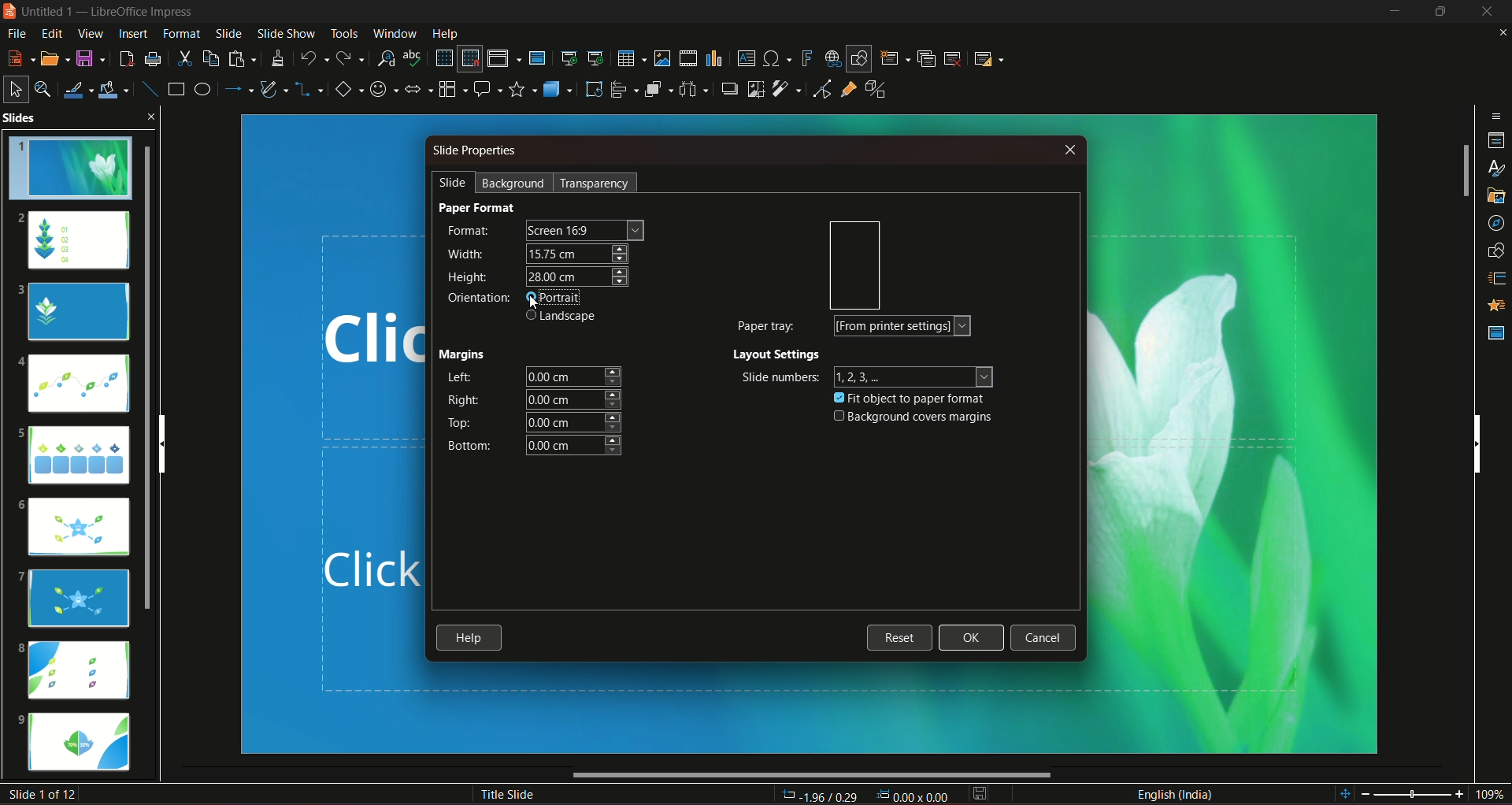 The width and height of the screenshot is (1512, 805). What do you see at coordinates (858, 57) in the screenshot?
I see `show draw functions` at bounding box center [858, 57].